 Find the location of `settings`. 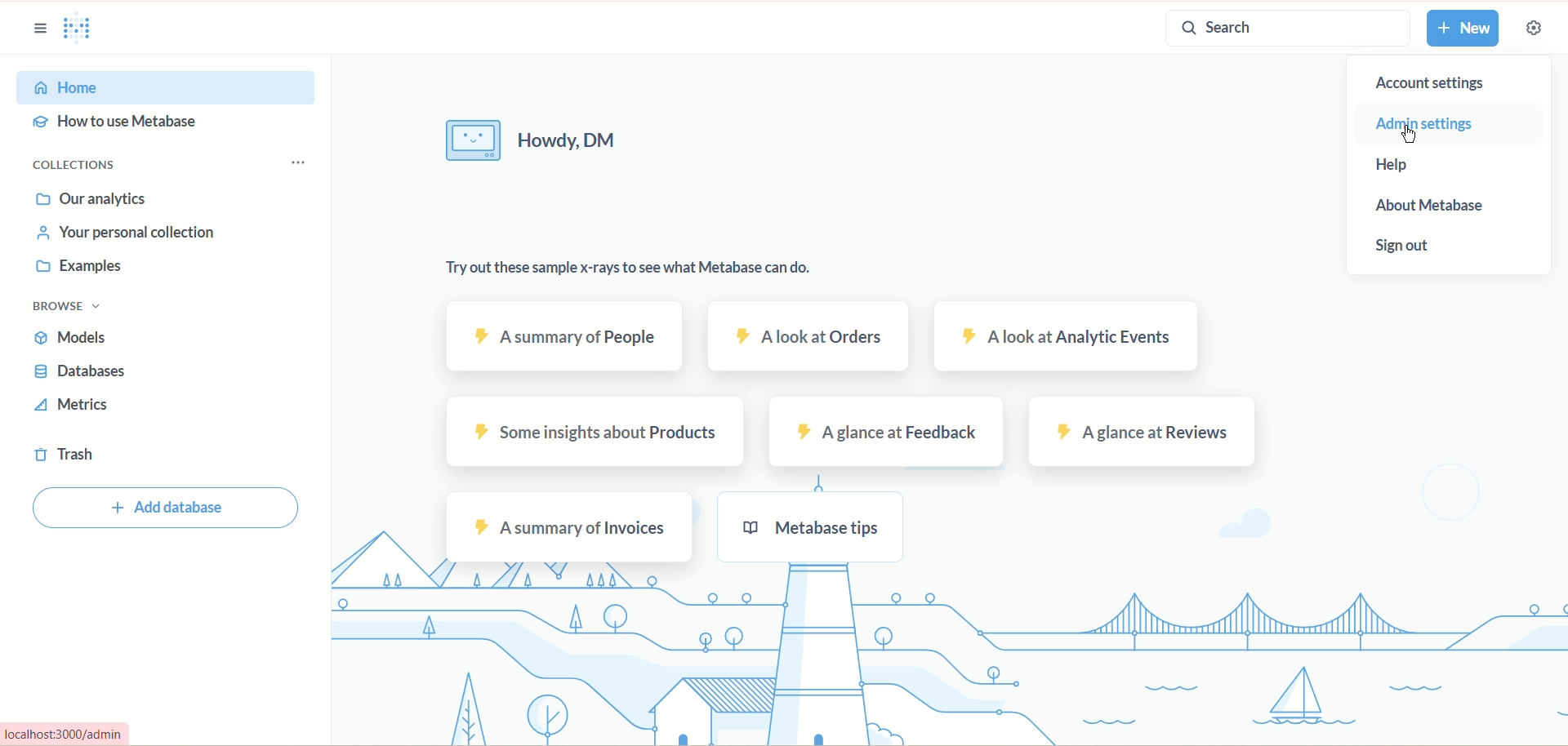

settings is located at coordinates (1530, 30).